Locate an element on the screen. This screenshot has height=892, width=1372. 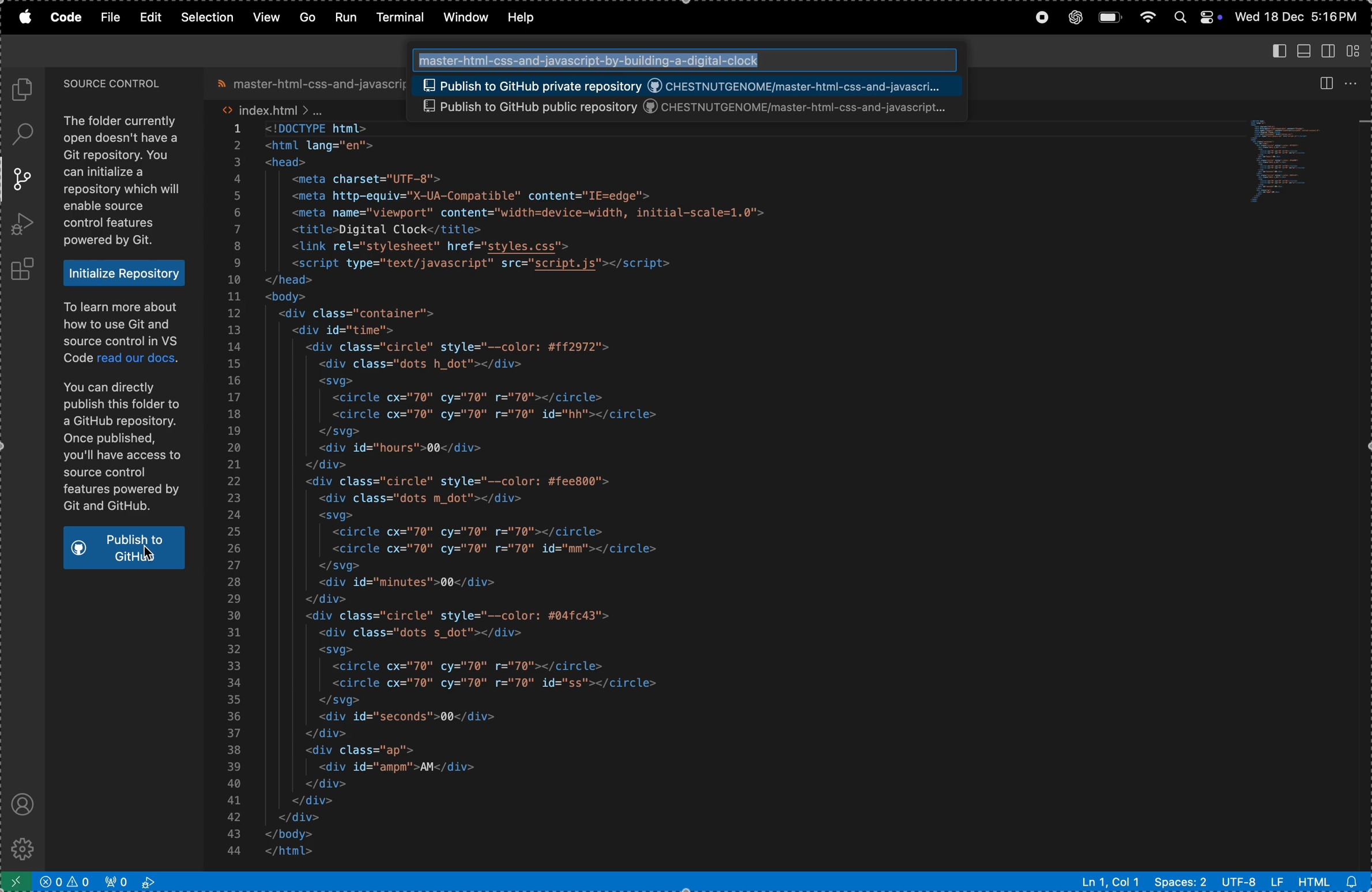
publish to git is located at coordinates (126, 549).